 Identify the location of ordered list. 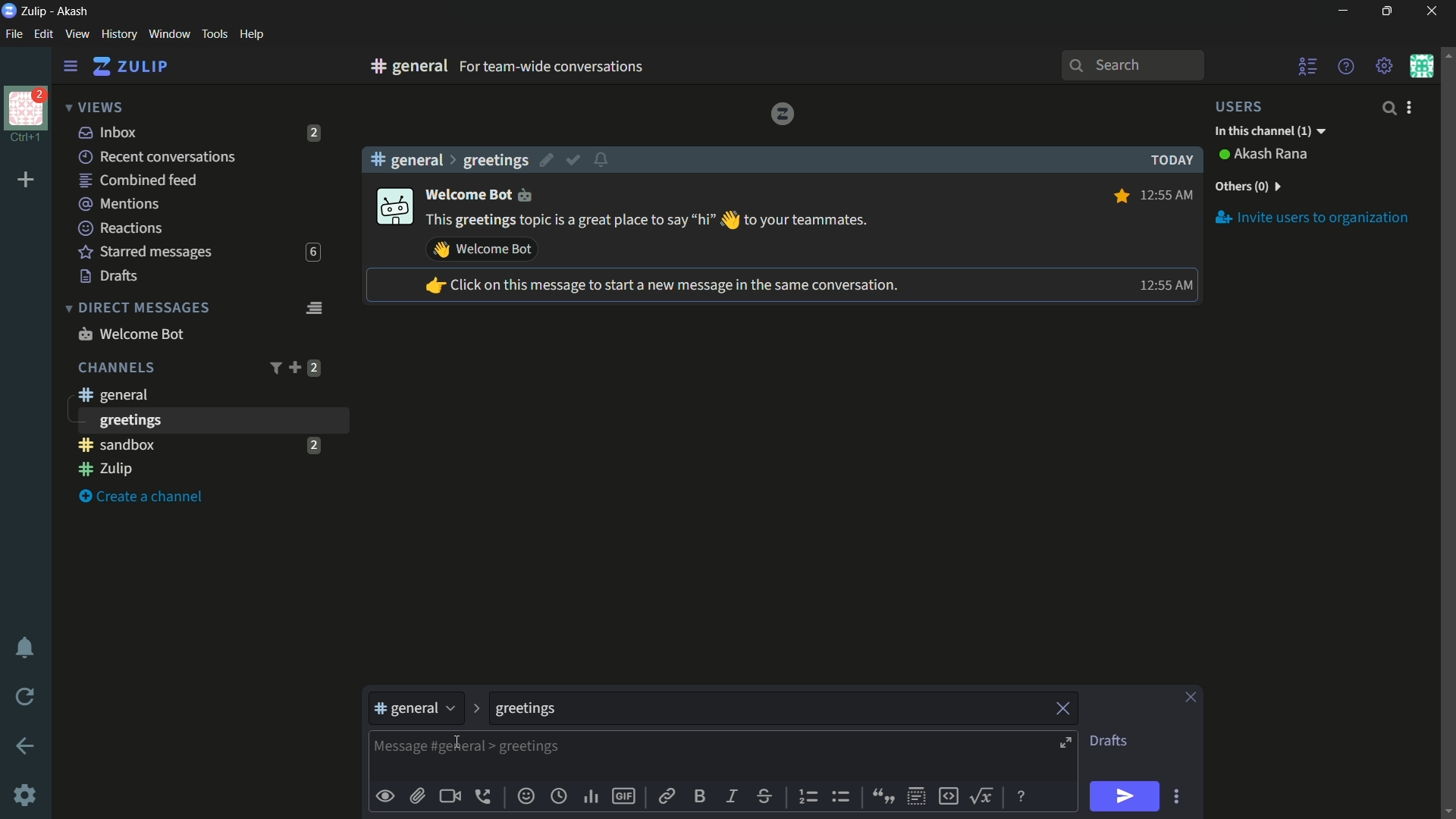
(811, 797).